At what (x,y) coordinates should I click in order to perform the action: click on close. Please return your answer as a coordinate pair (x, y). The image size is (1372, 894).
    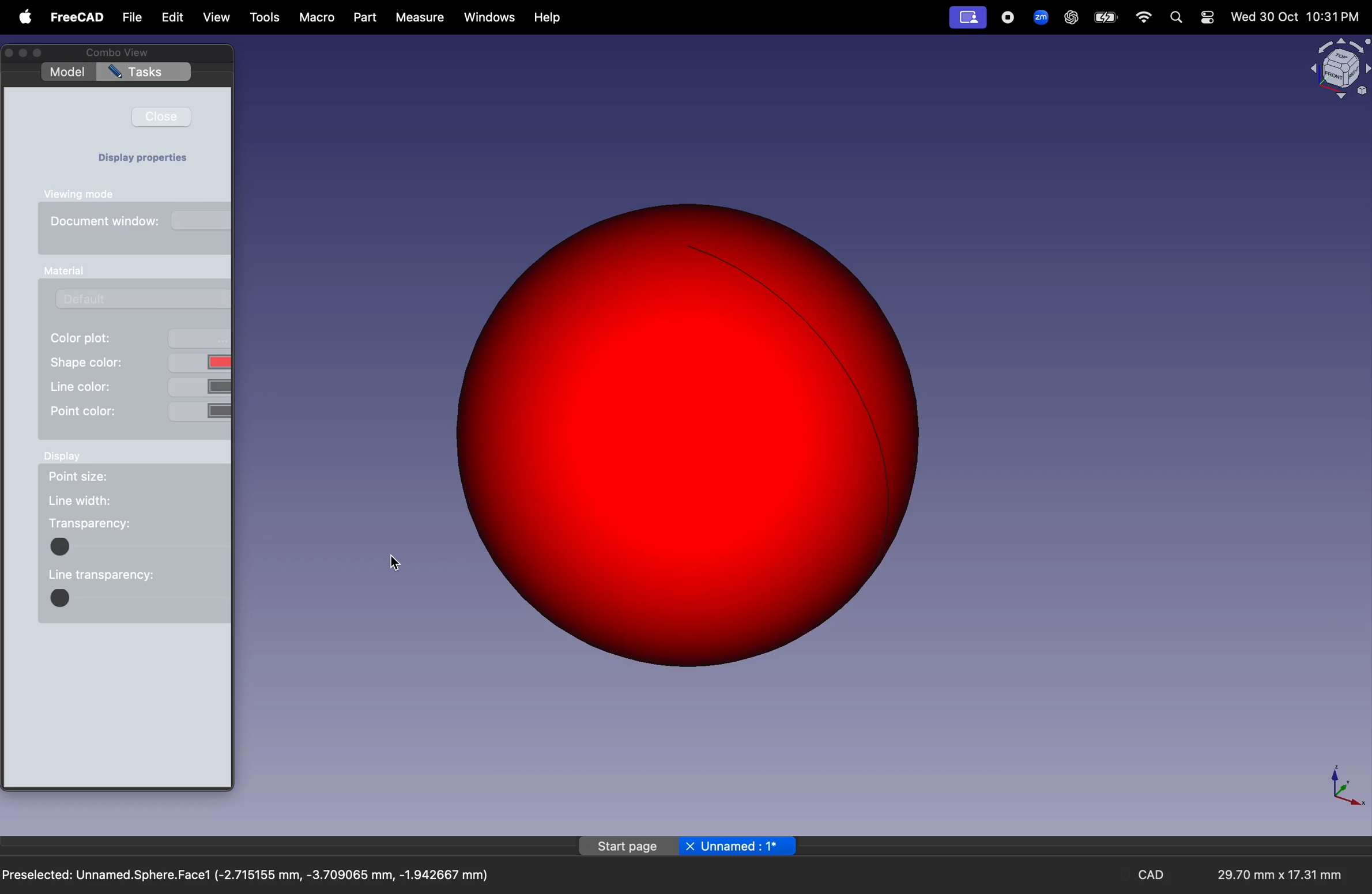
    Looking at the image, I should click on (161, 116).